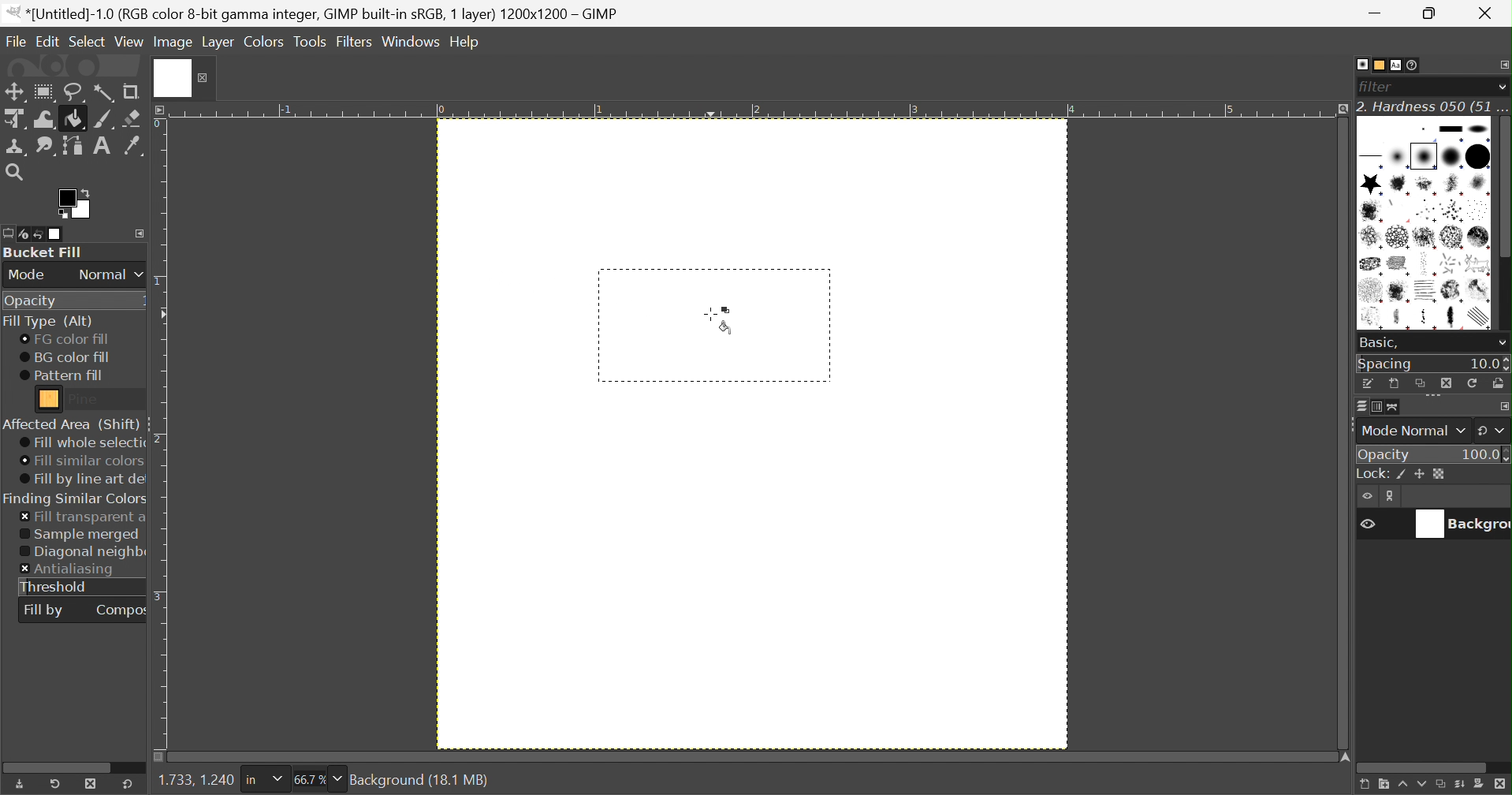  Describe the element at coordinates (1503, 406) in the screenshot. I see `Configure this tab` at that location.